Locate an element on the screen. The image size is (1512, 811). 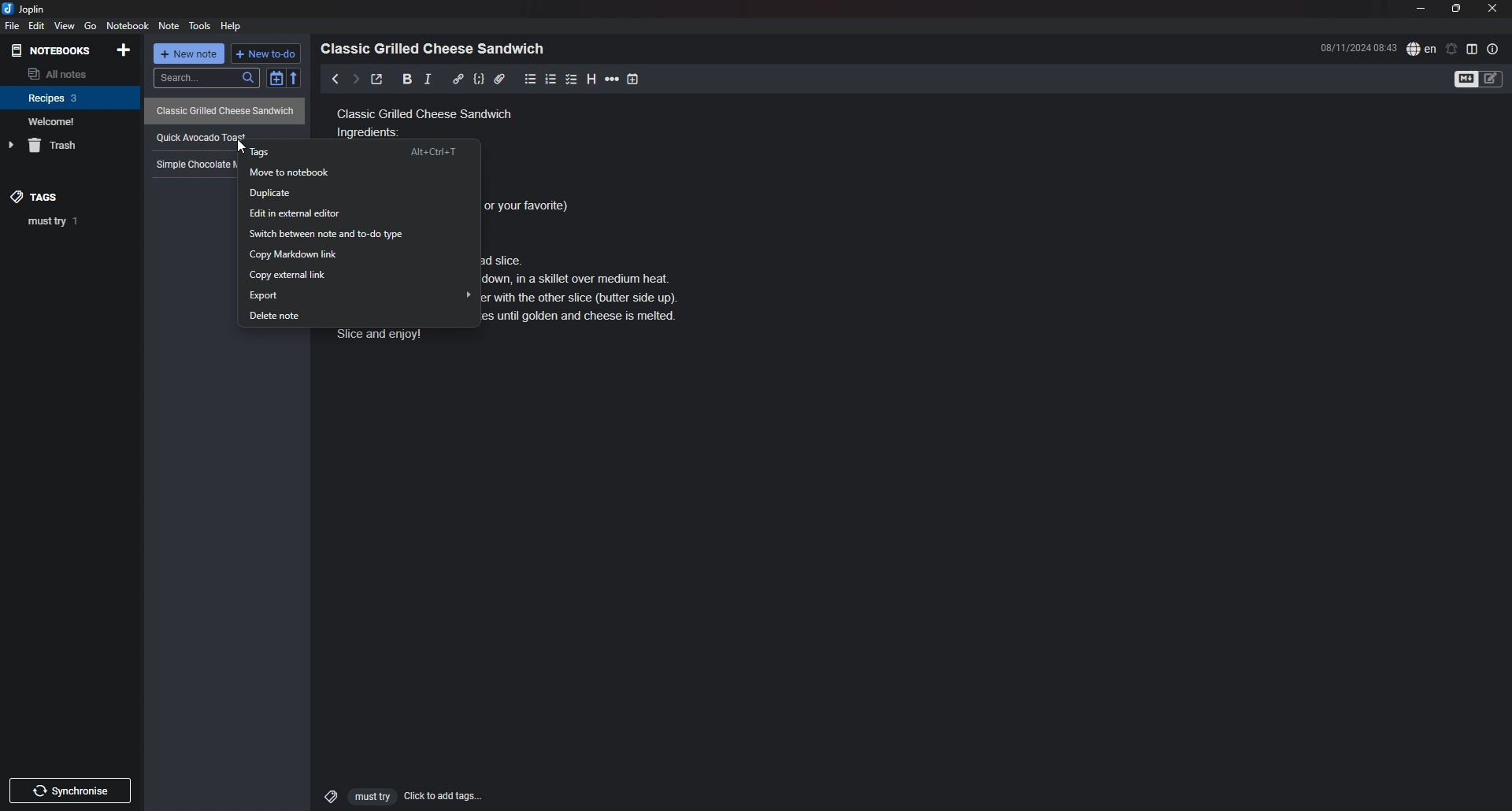
copy external link is located at coordinates (359, 275).